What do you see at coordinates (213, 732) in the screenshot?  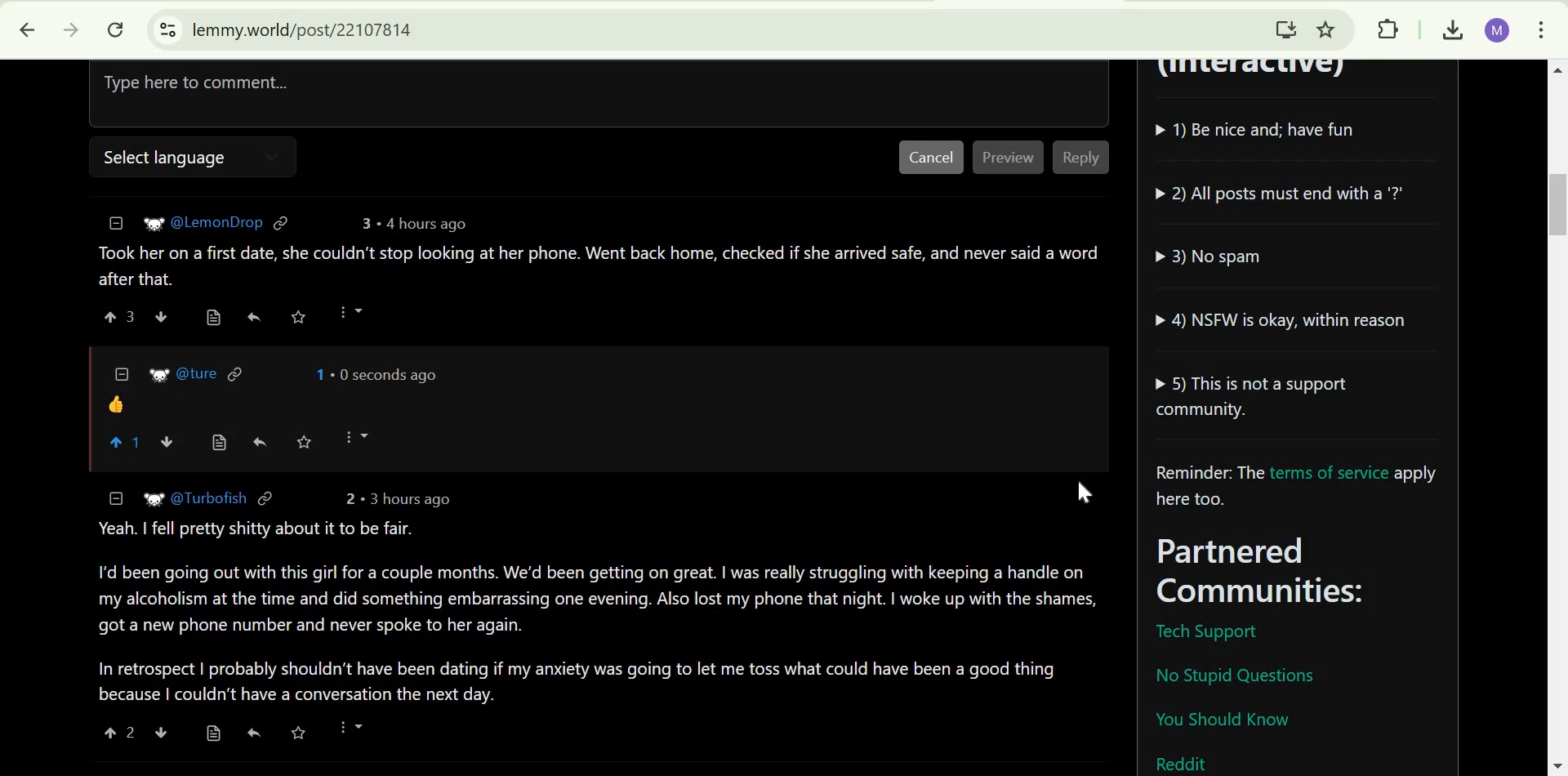 I see `view source` at bounding box center [213, 732].